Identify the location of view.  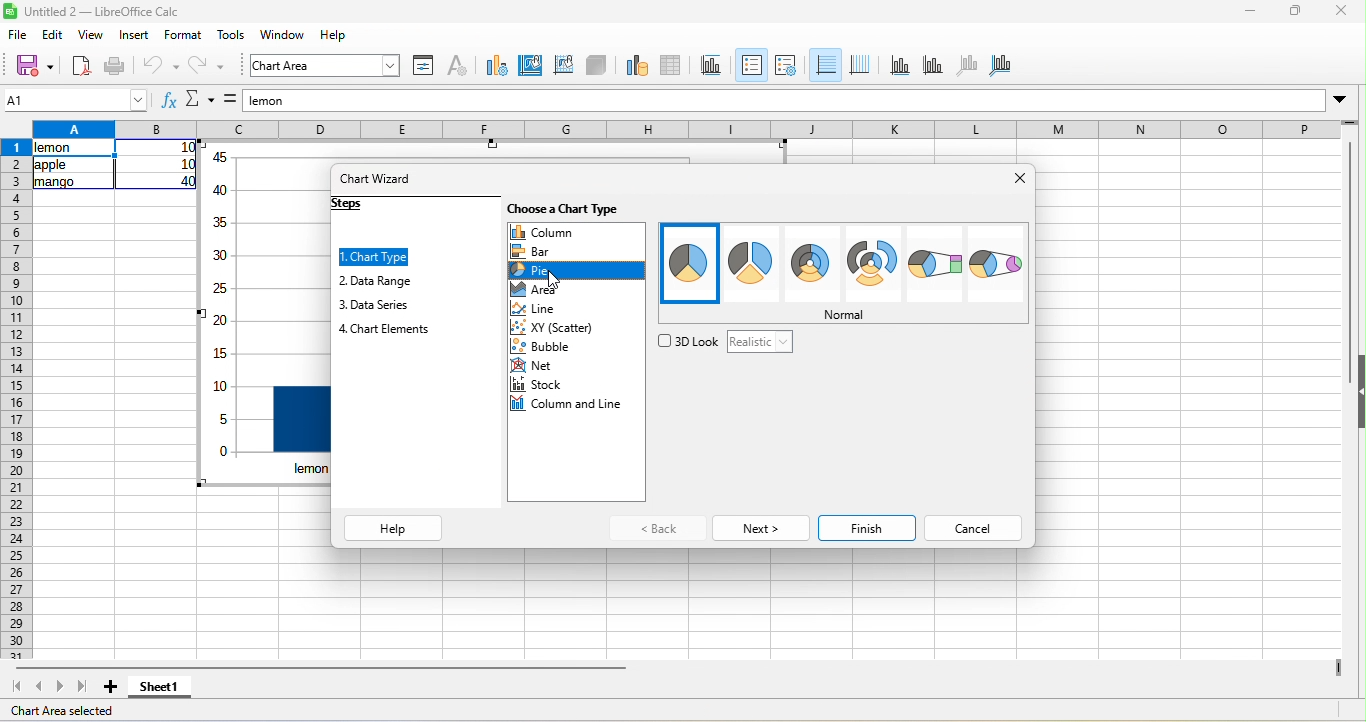
(94, 38).